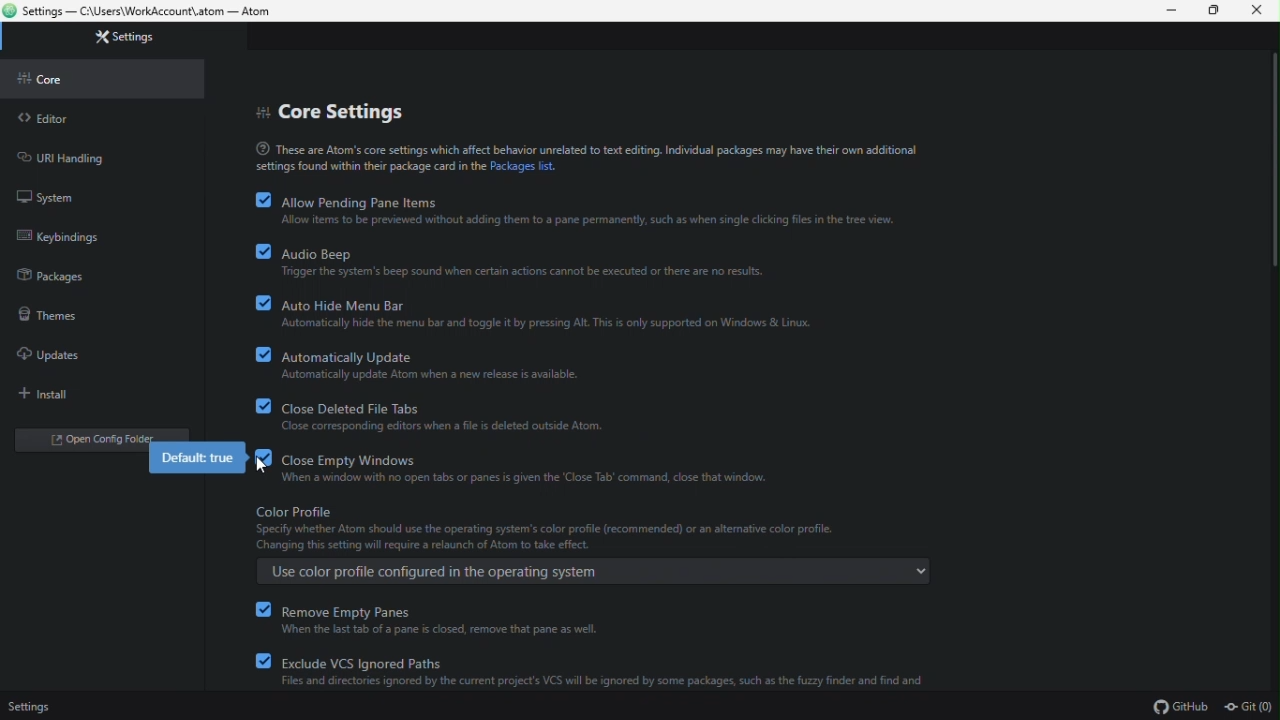 The image size is (1280, 720). Describe the element at coordinates (528, 467) in the screenshot. I see `close empty windows(enabled)` at that location.